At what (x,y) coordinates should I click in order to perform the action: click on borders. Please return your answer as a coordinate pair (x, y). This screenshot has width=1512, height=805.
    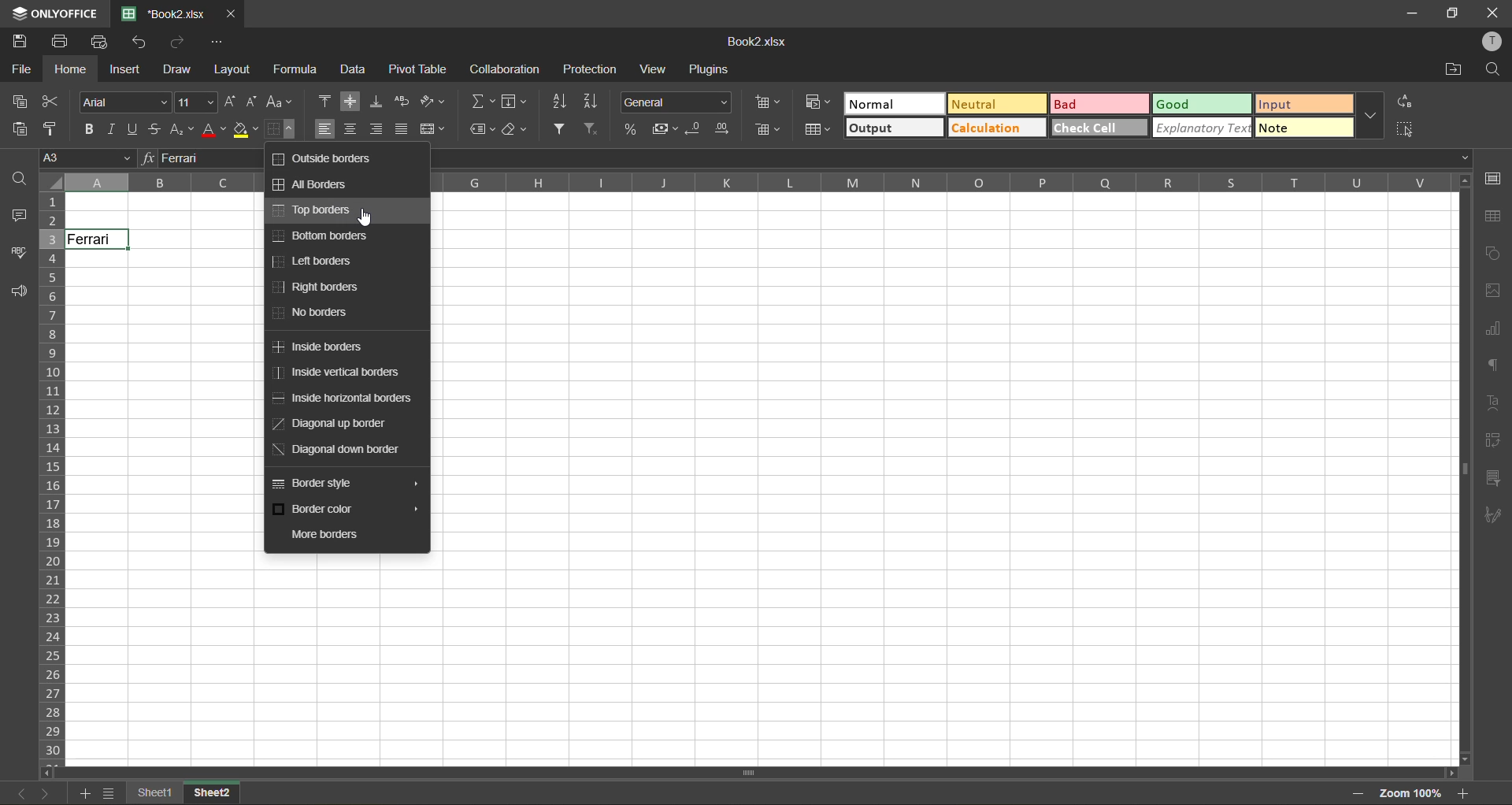
    Looking at the image, I should click on (281, 128).